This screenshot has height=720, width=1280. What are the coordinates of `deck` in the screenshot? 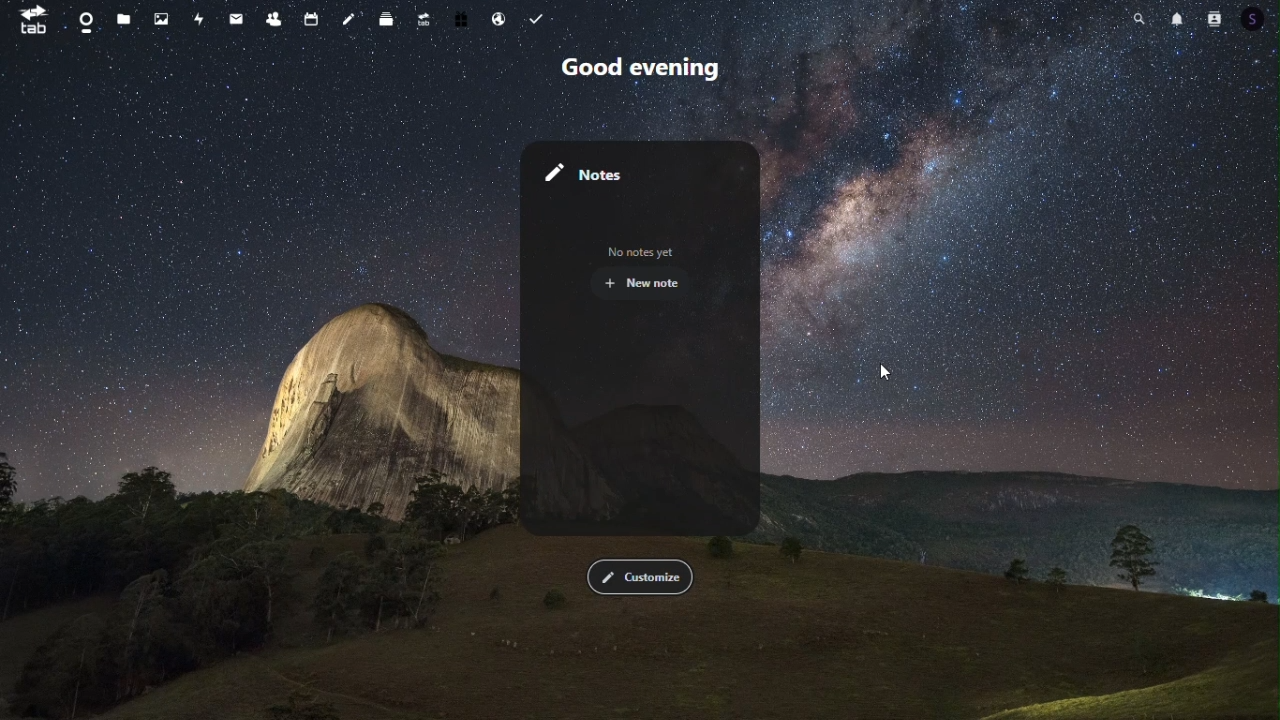 It's located at (386, 21).